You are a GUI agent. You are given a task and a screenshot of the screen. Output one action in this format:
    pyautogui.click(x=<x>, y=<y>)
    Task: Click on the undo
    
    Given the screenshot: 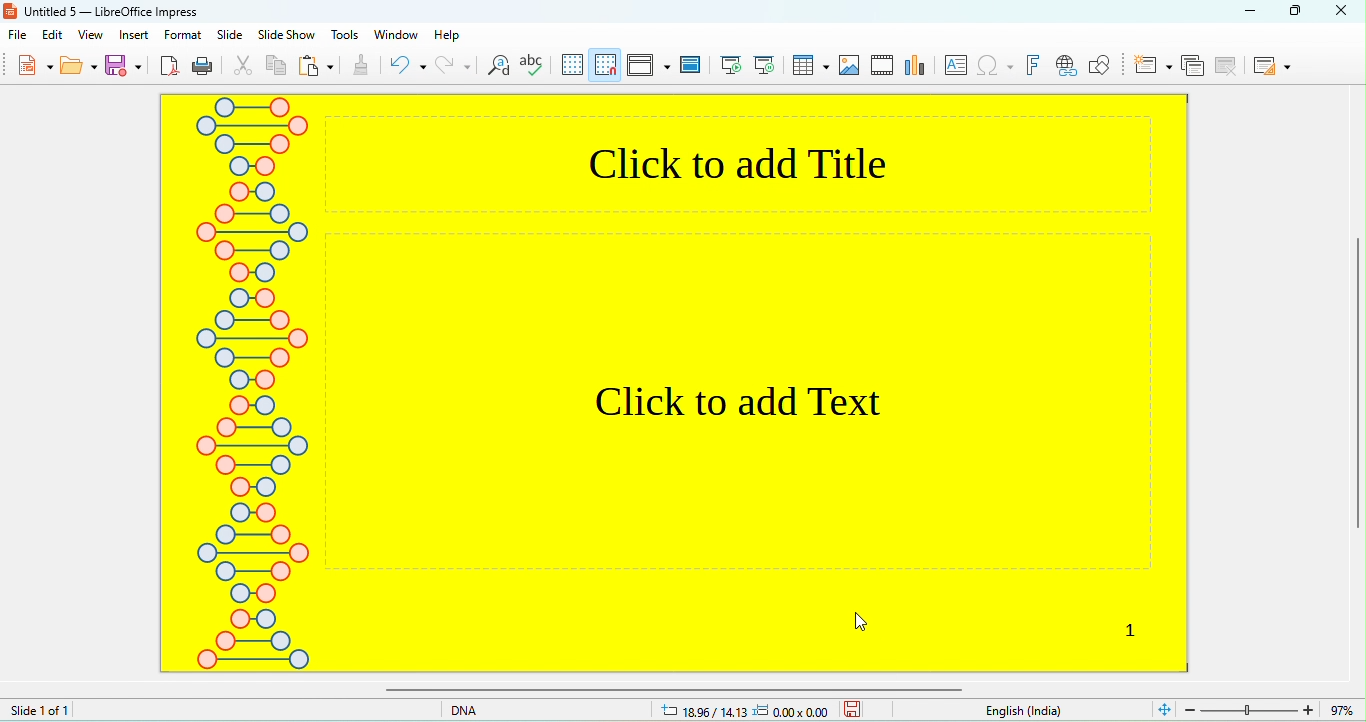 What is the action you would take?
    pyautogui.click(x=408, y=65)
    